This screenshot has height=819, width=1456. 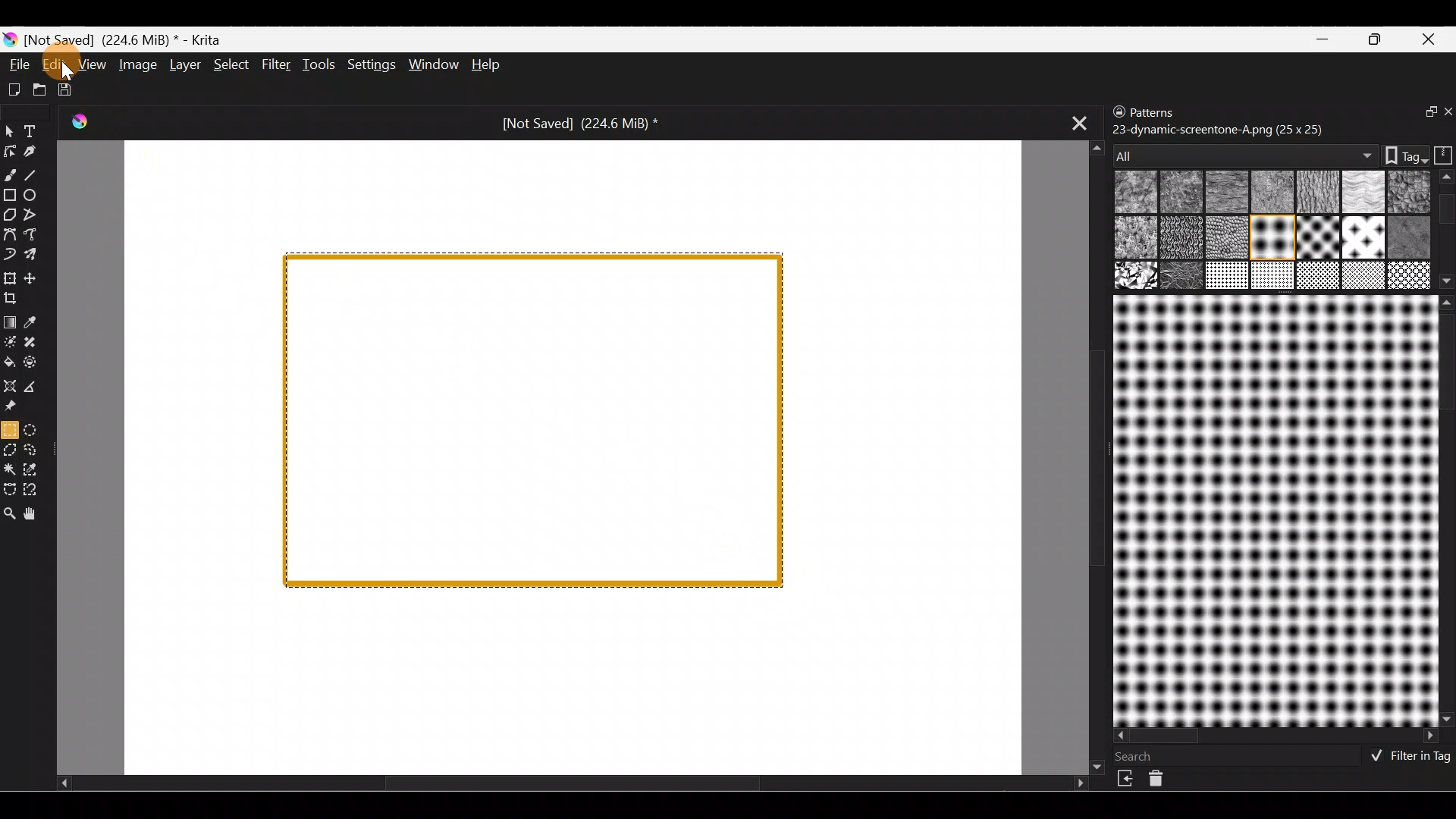 What do you see at coordinates (369, 65) in the screenshot?
I see `Settings` at bounding box center [369, 65].